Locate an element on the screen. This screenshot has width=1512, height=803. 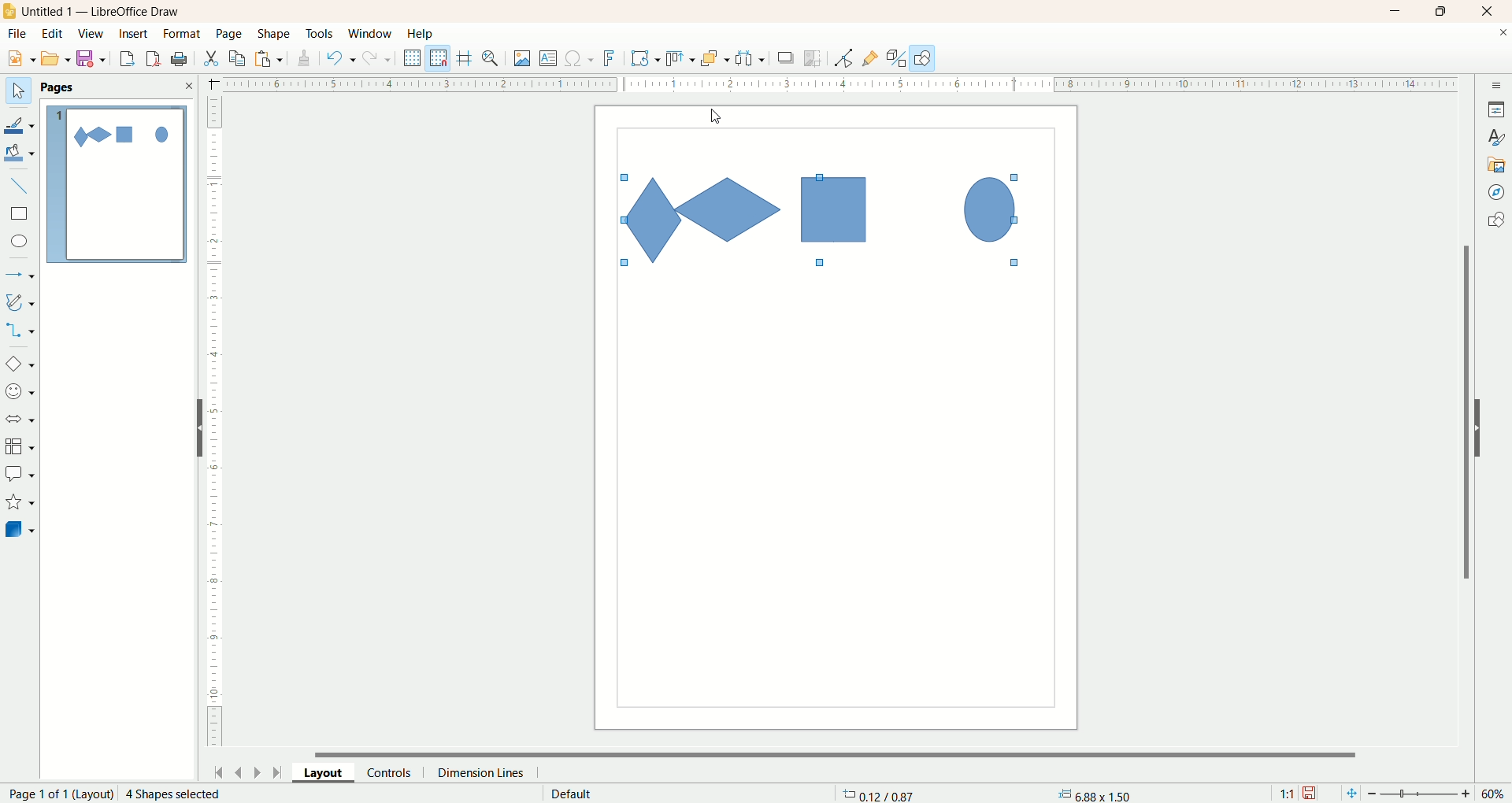
new is located at coordinates (18, 59).